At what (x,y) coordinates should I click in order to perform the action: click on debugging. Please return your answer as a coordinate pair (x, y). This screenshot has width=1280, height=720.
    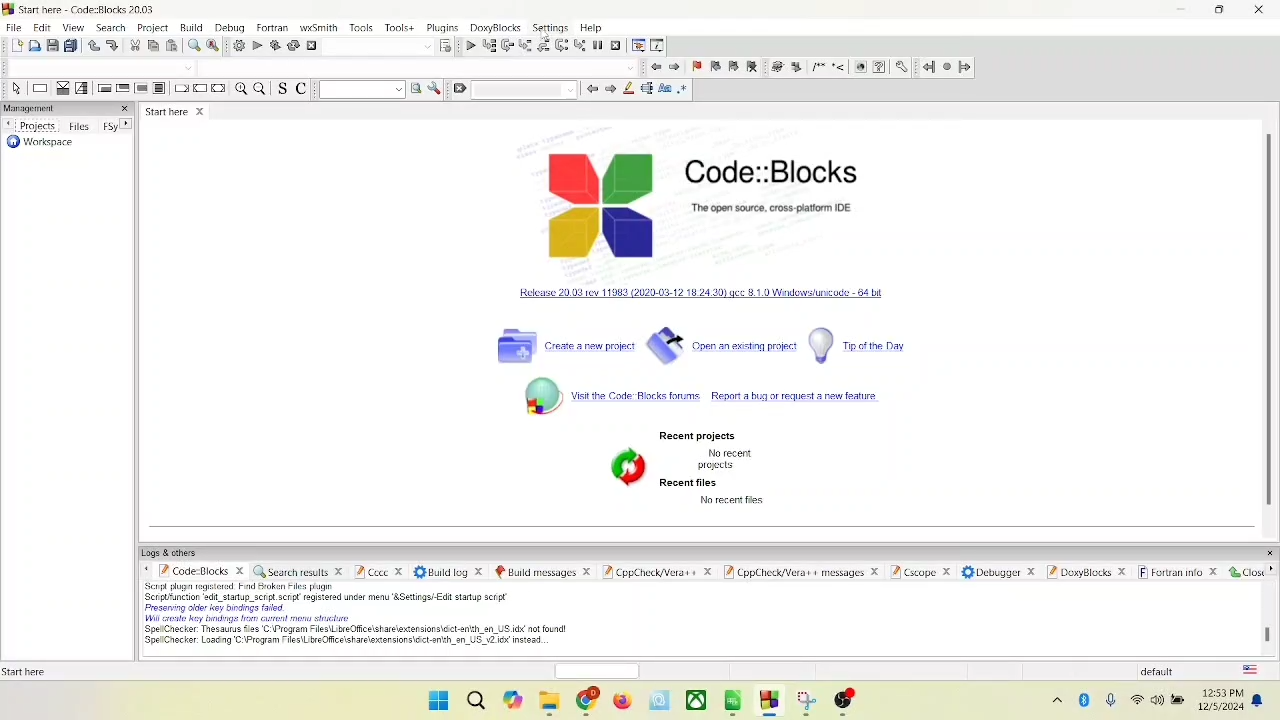
    Looking at the image, I should click on (637, 44).